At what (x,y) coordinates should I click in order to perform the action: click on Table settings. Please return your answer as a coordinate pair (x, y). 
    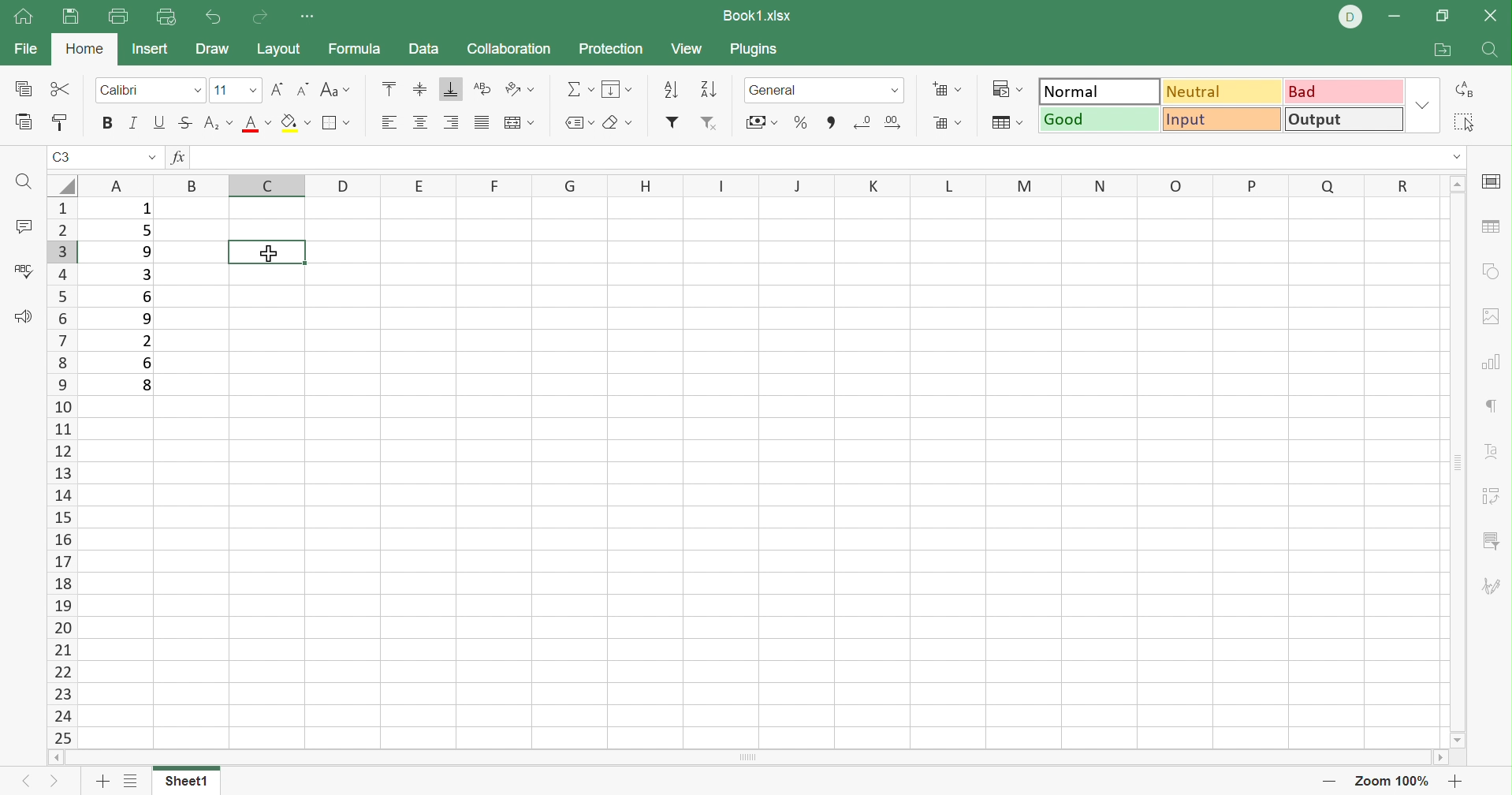
    Looking at the image, I should click on (1492, 227).